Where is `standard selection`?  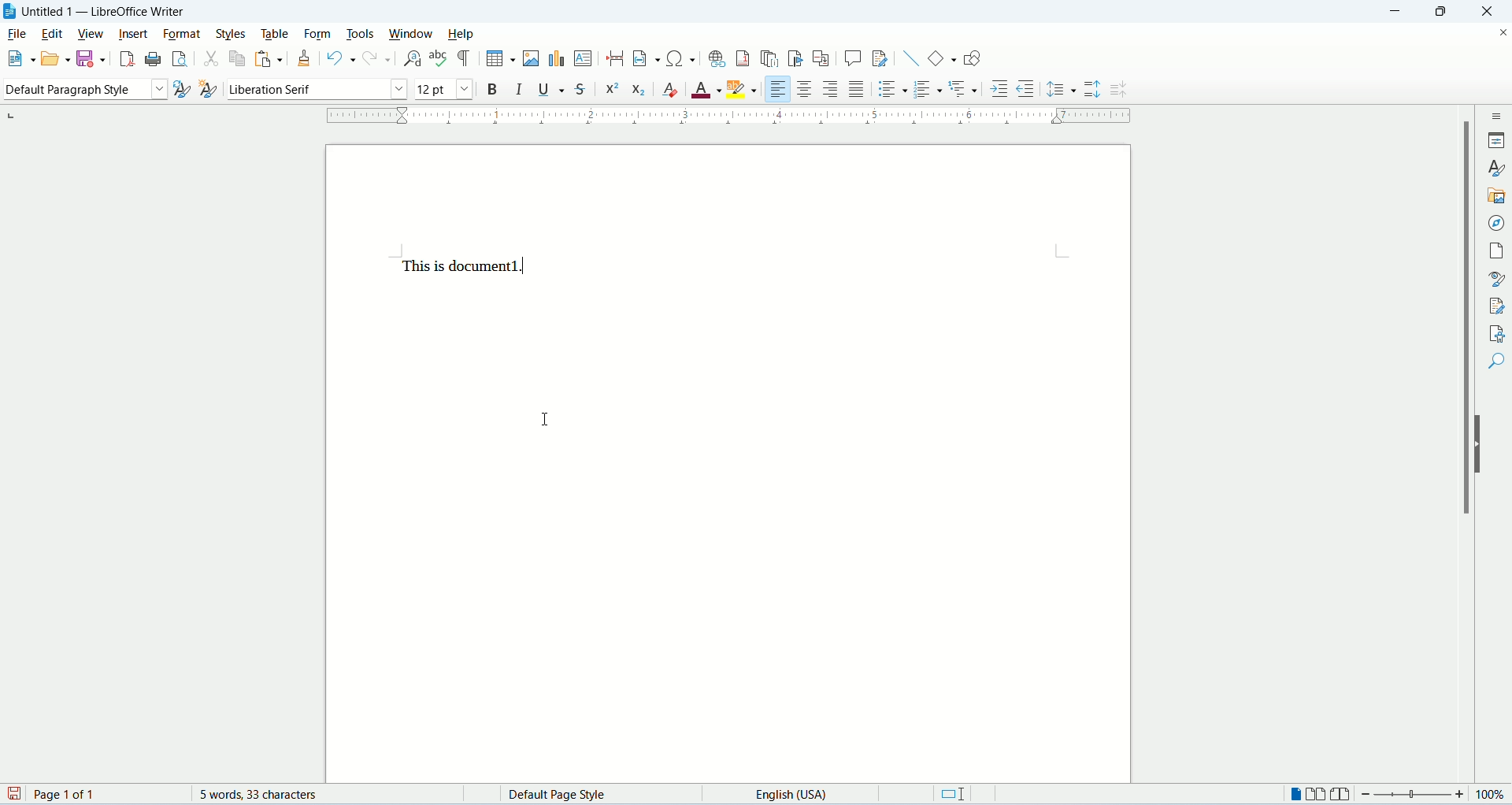 standard selection is located at coordinates (957, 793).